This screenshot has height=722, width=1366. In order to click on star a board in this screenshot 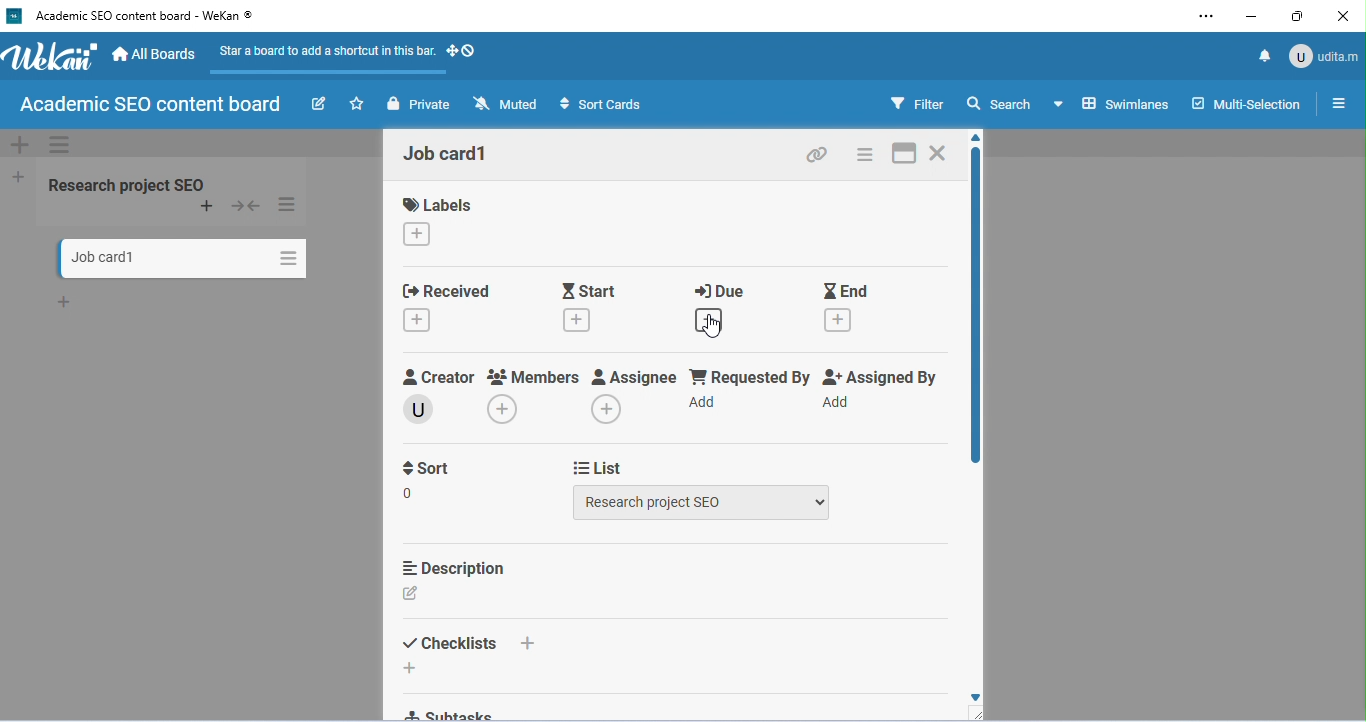, I will do `click(359, 104)`.